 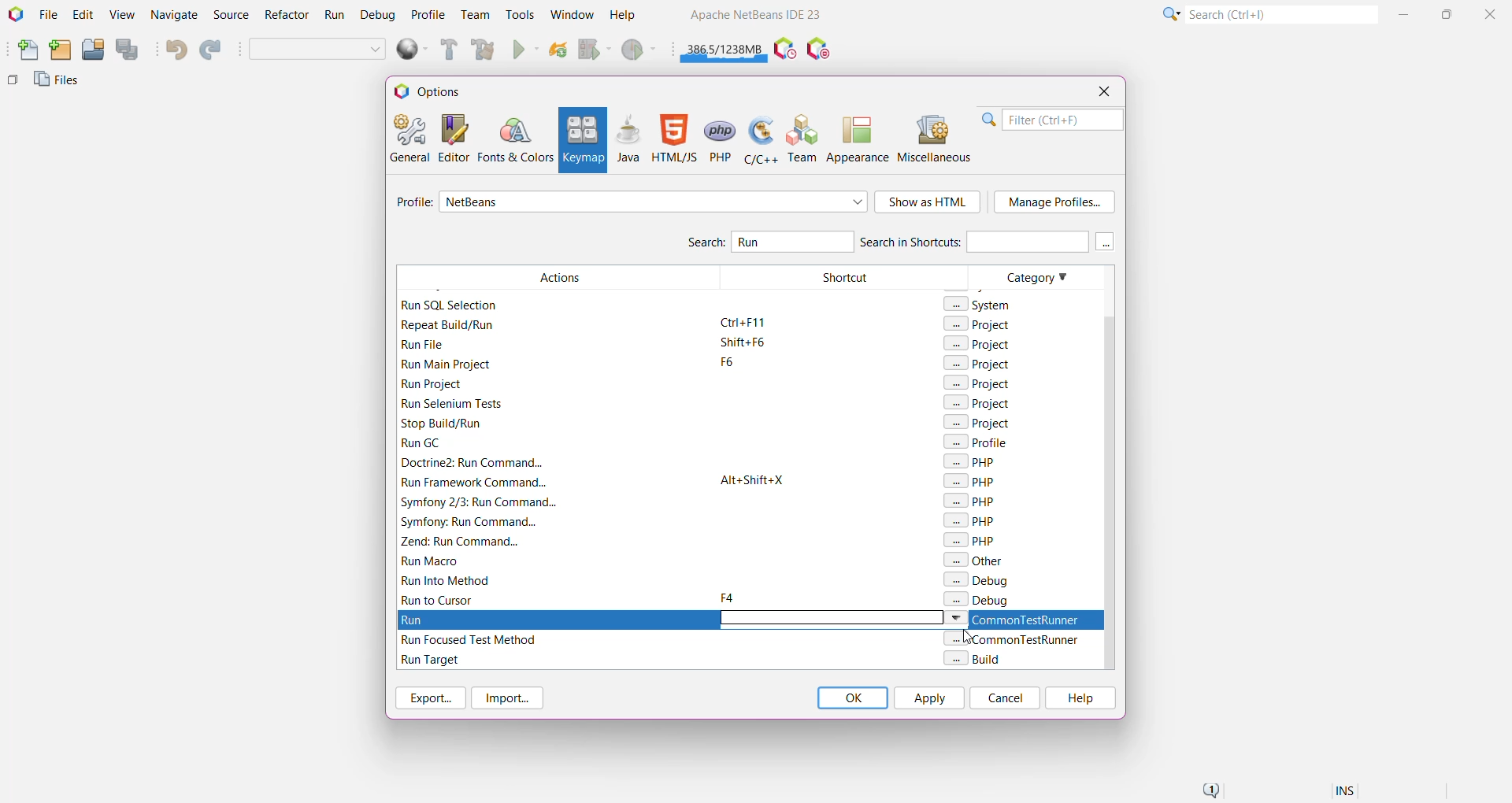 What do you see at coordinates (752, 620) in the screenshot?
I see `Run Action highlighted` at bounding box center [752, 620].